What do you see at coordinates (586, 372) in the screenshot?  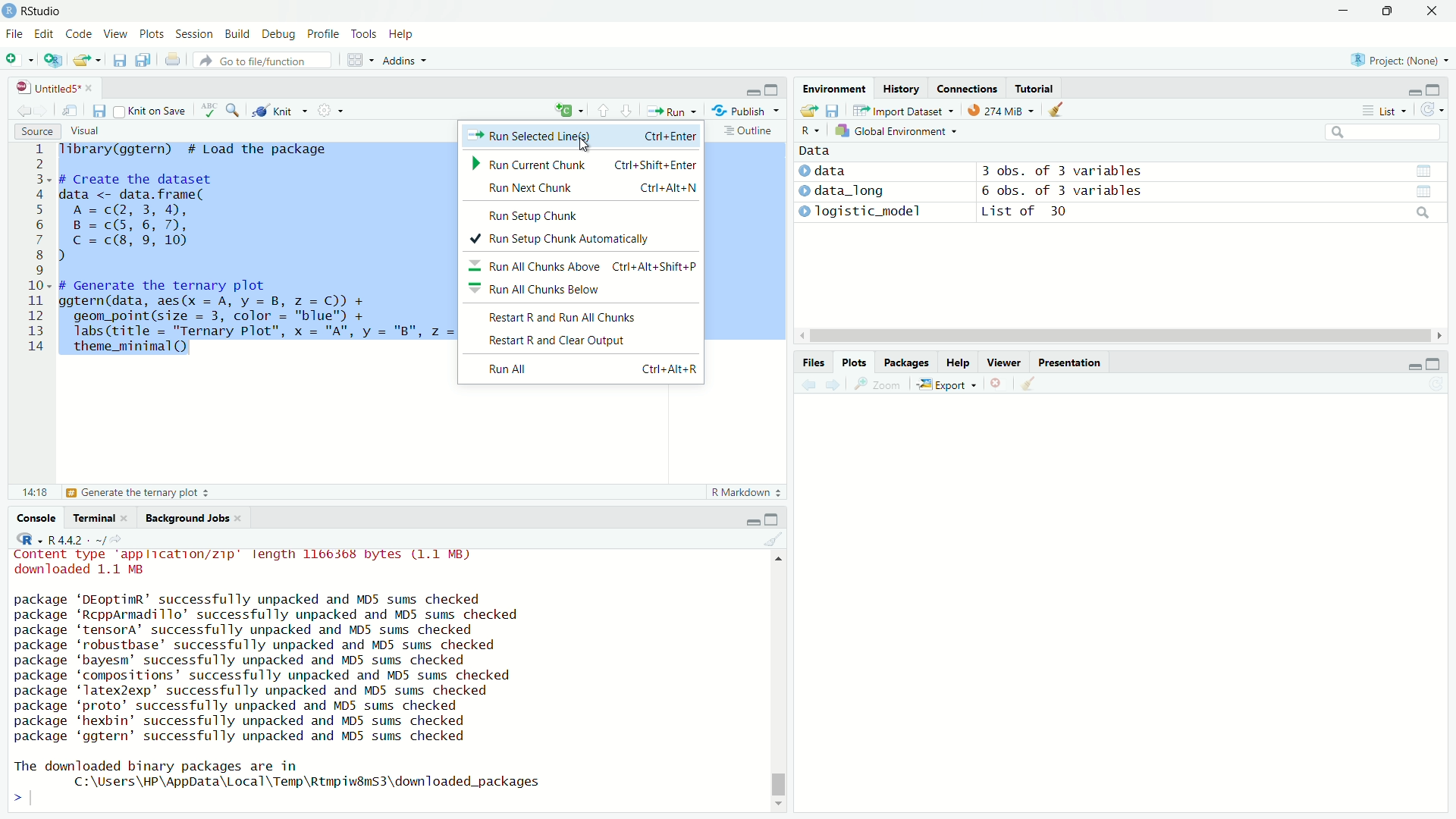 I see `Run All Ctri+Alt+R` at bounding box center [586, 372].